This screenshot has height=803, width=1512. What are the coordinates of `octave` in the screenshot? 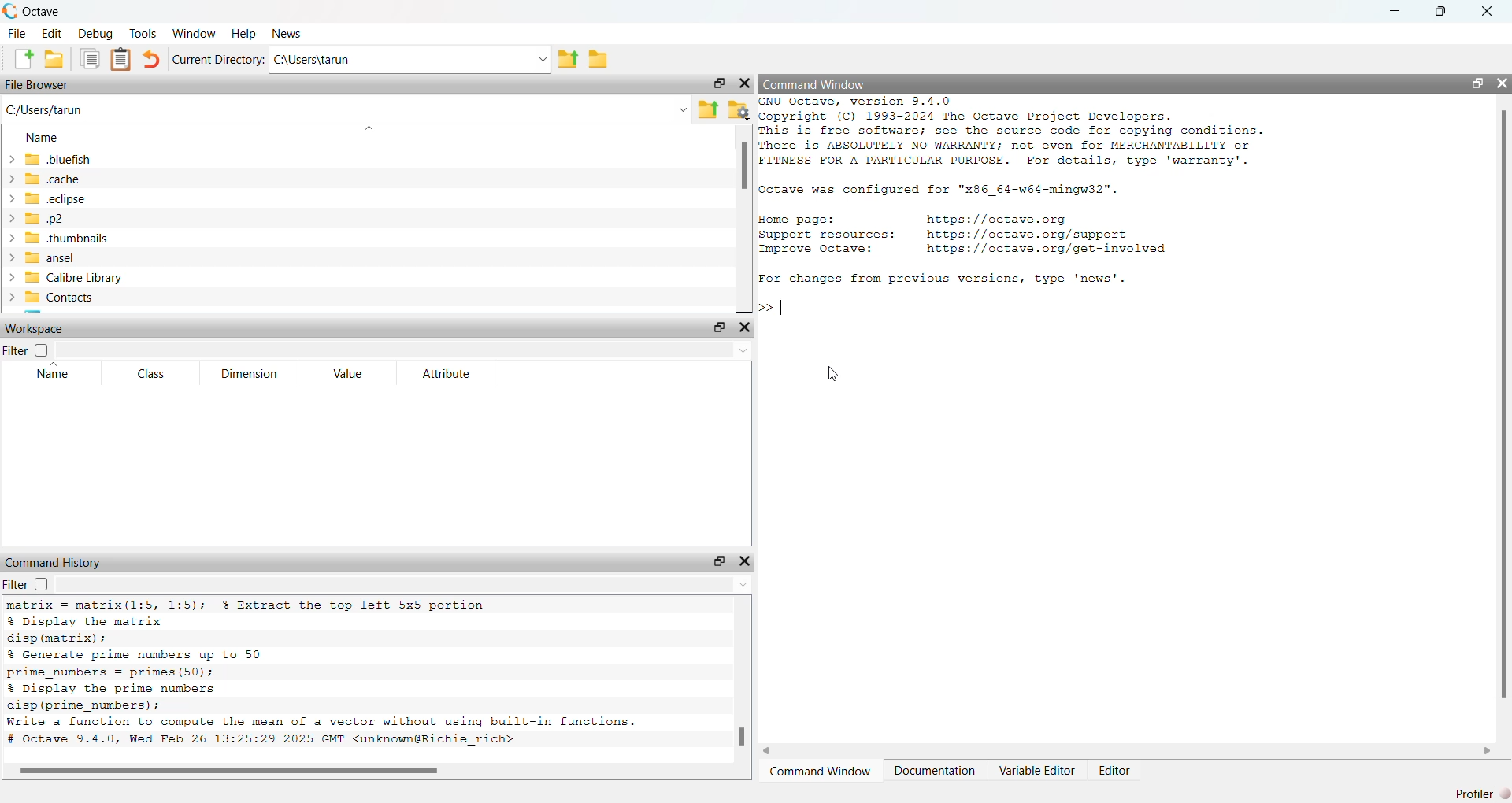 It's located at (44, 12).